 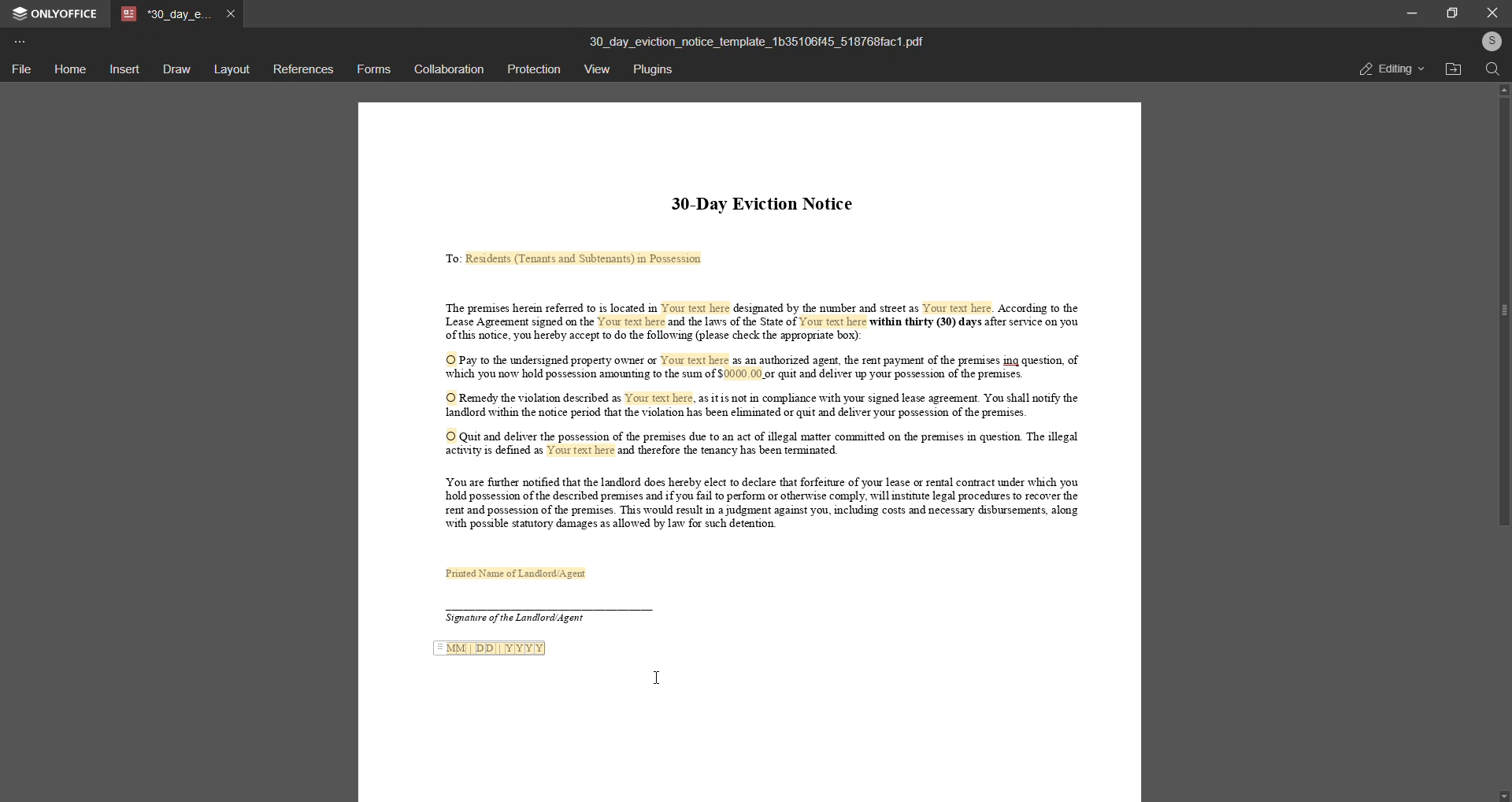 I want to click on forms, so click(x=373, y=69).